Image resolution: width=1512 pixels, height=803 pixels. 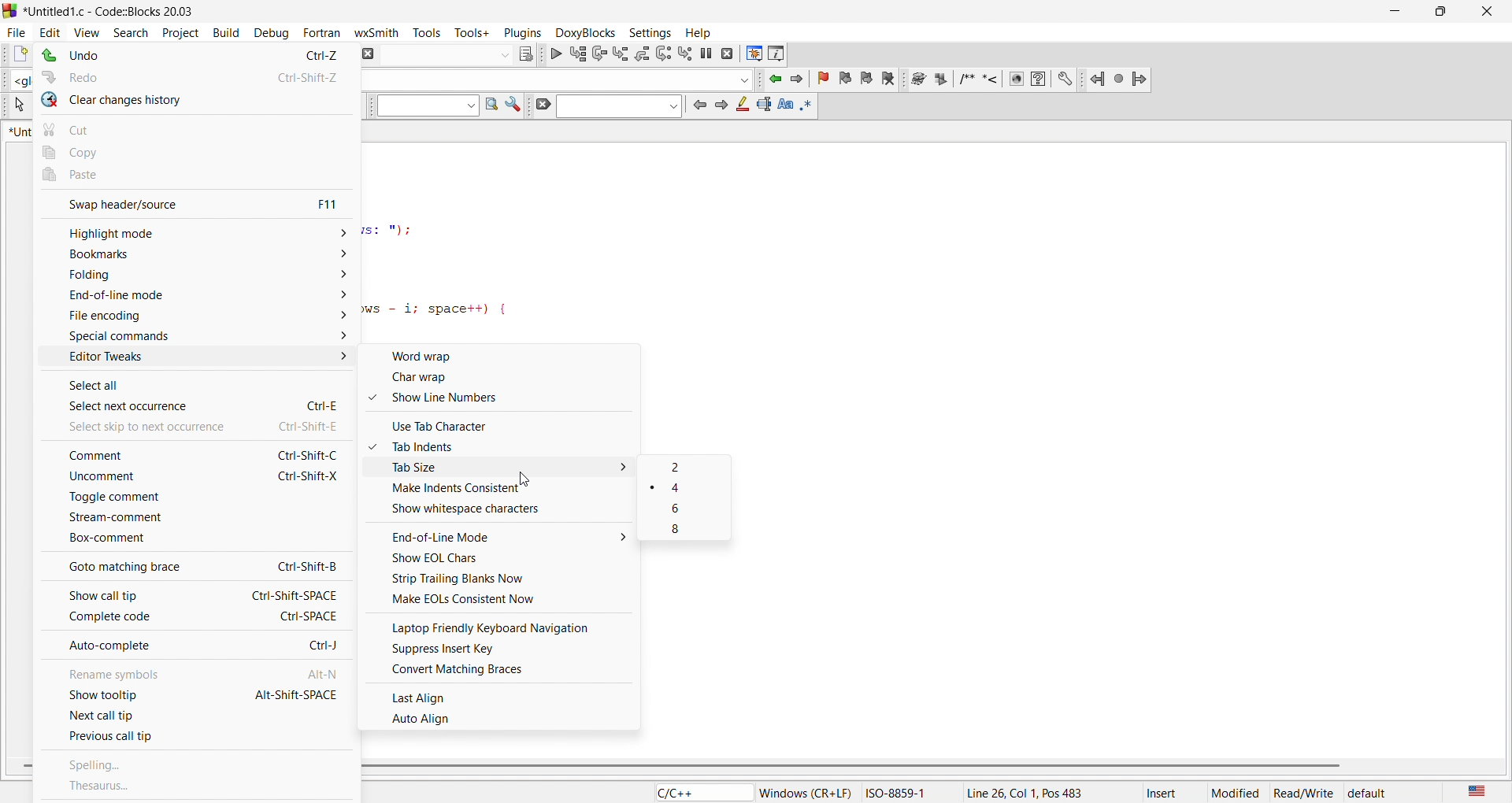 What do you see at coordinates (1476, 791) in the screenshot?
I see `us english` at bounding box center [1476, 791].